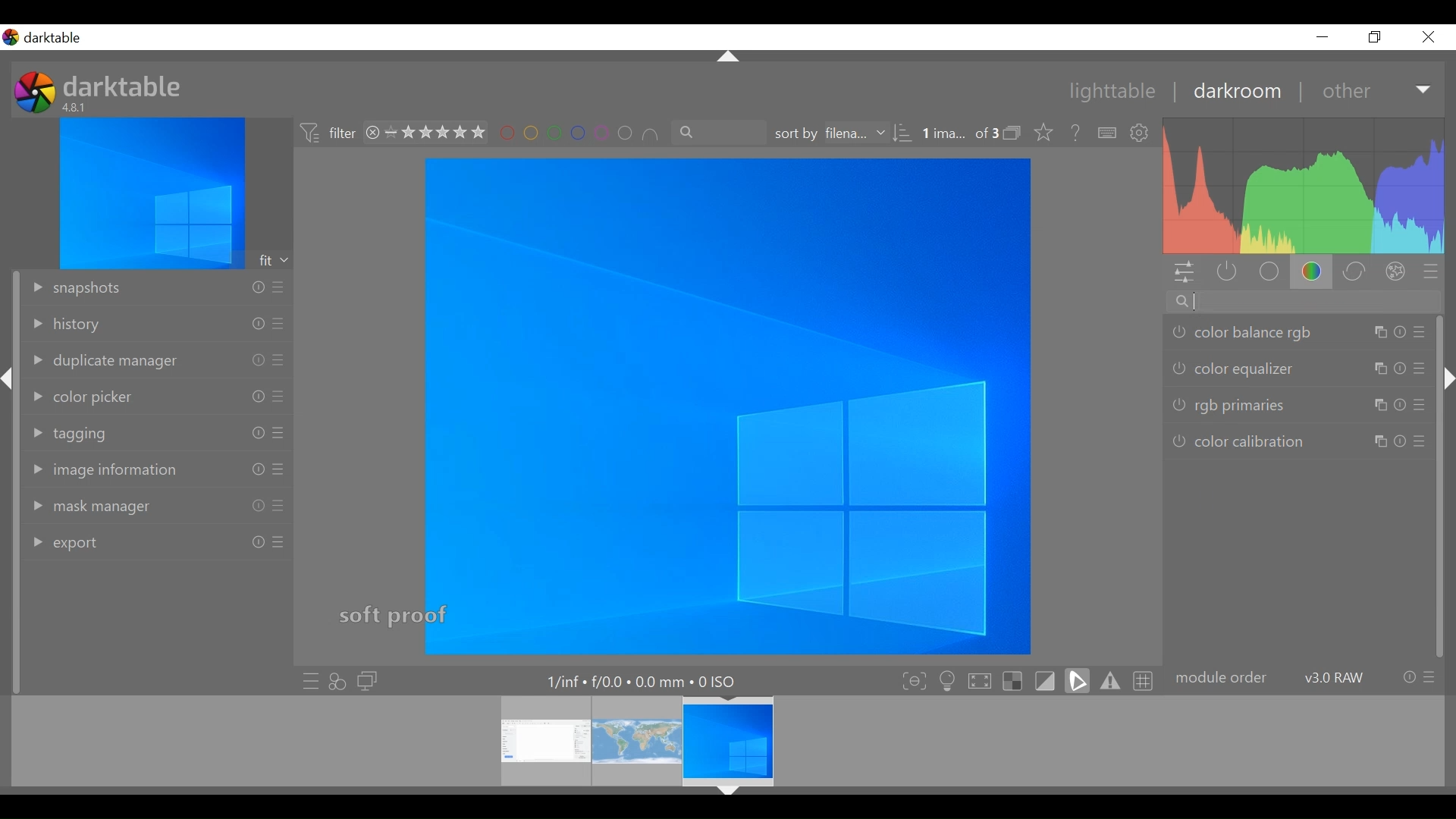 The height and width of the screenshot is (819, 1456). Describe the element at coordinates (1354, 271) in the screenshot. I see `correct` at that location.